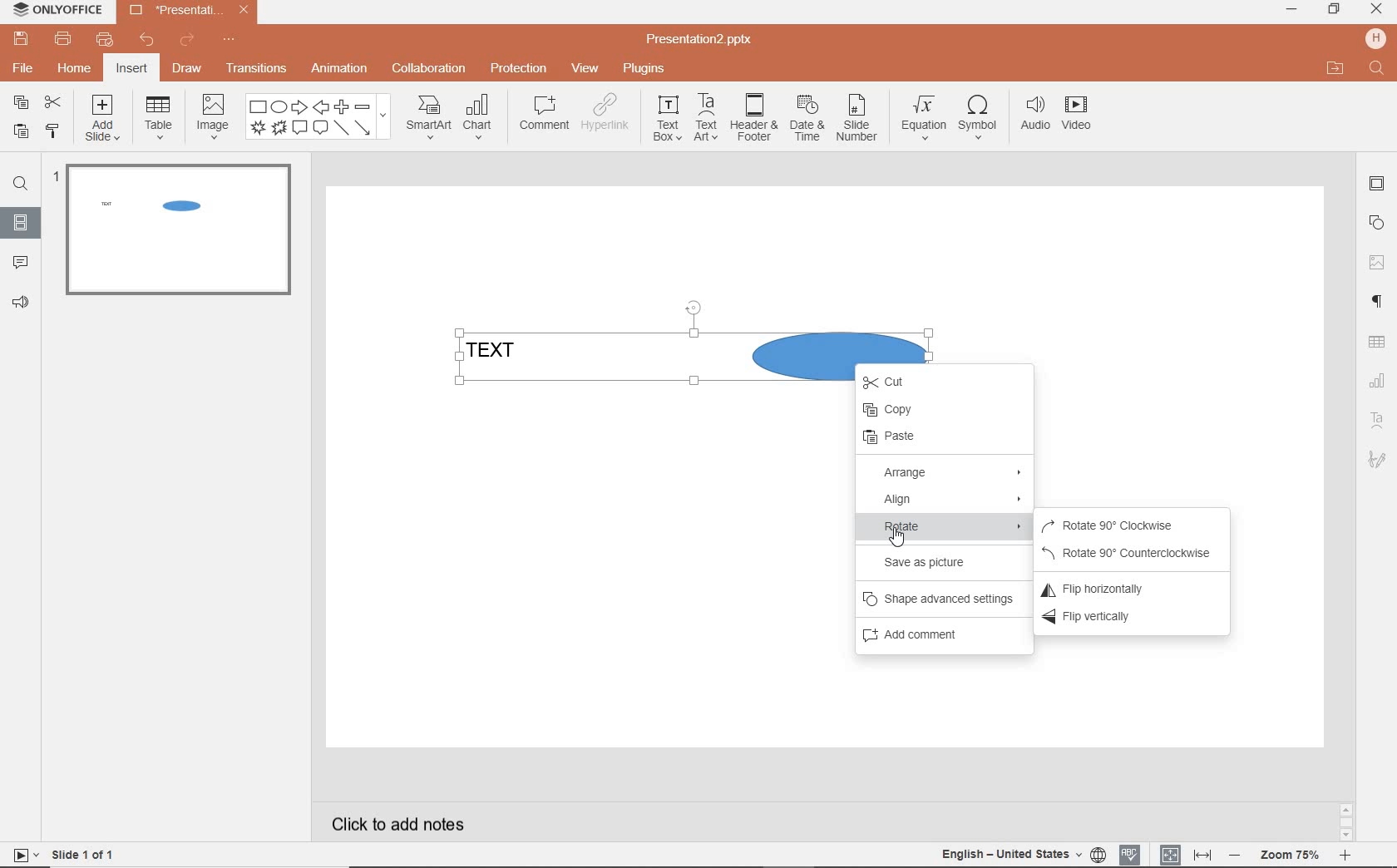 The width and height of the screenshot is (1397, 868). Describe the element at coordinates (20, 302) in the screenshot. I see `FEEDBACK & SUPPORT` at that location.